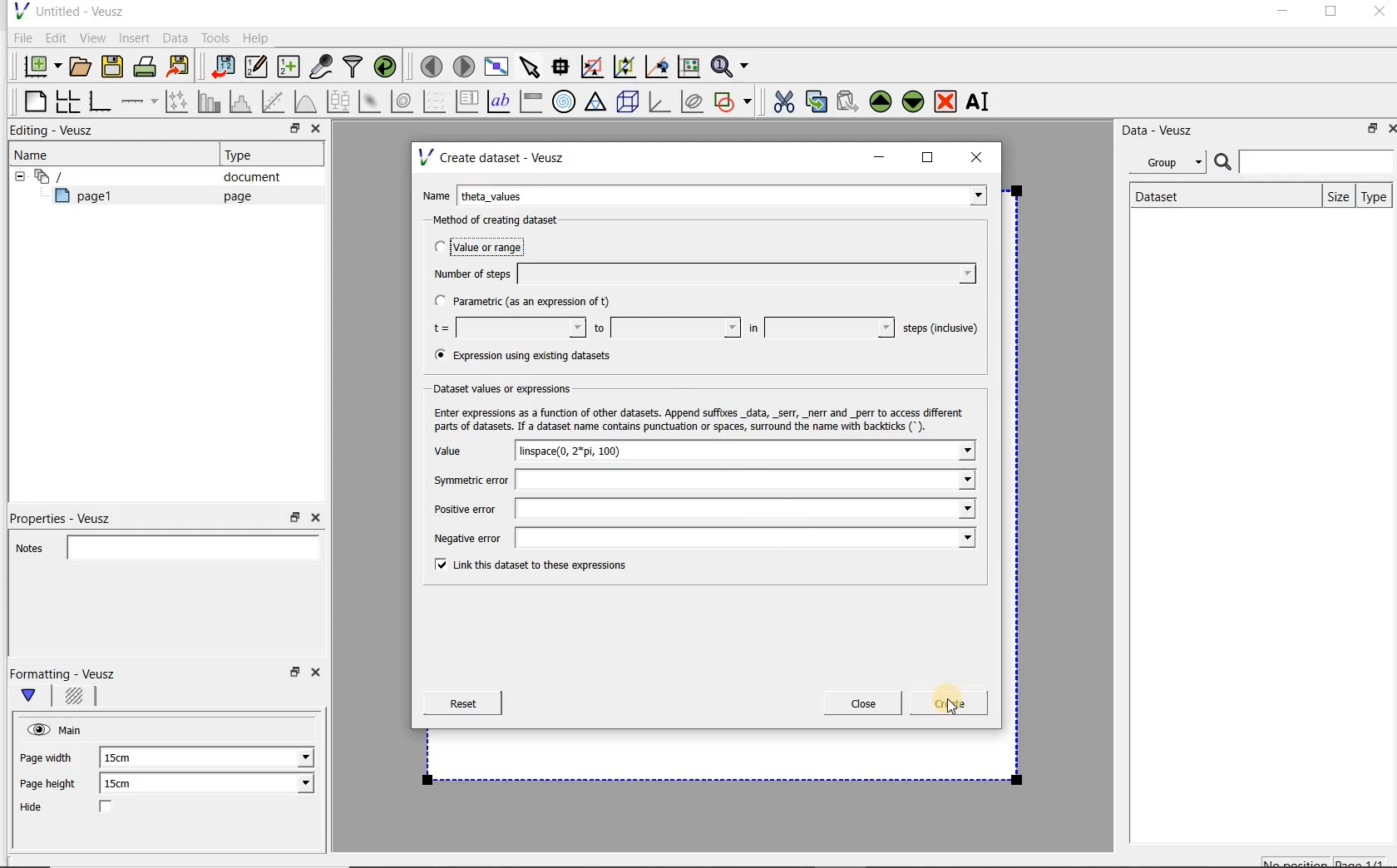 This screenshot has height=868, width=1397. What do you see at coordinates (946, 101) in the screenshot?
I see `remove the selected widget` at bounding box center [946, 101].